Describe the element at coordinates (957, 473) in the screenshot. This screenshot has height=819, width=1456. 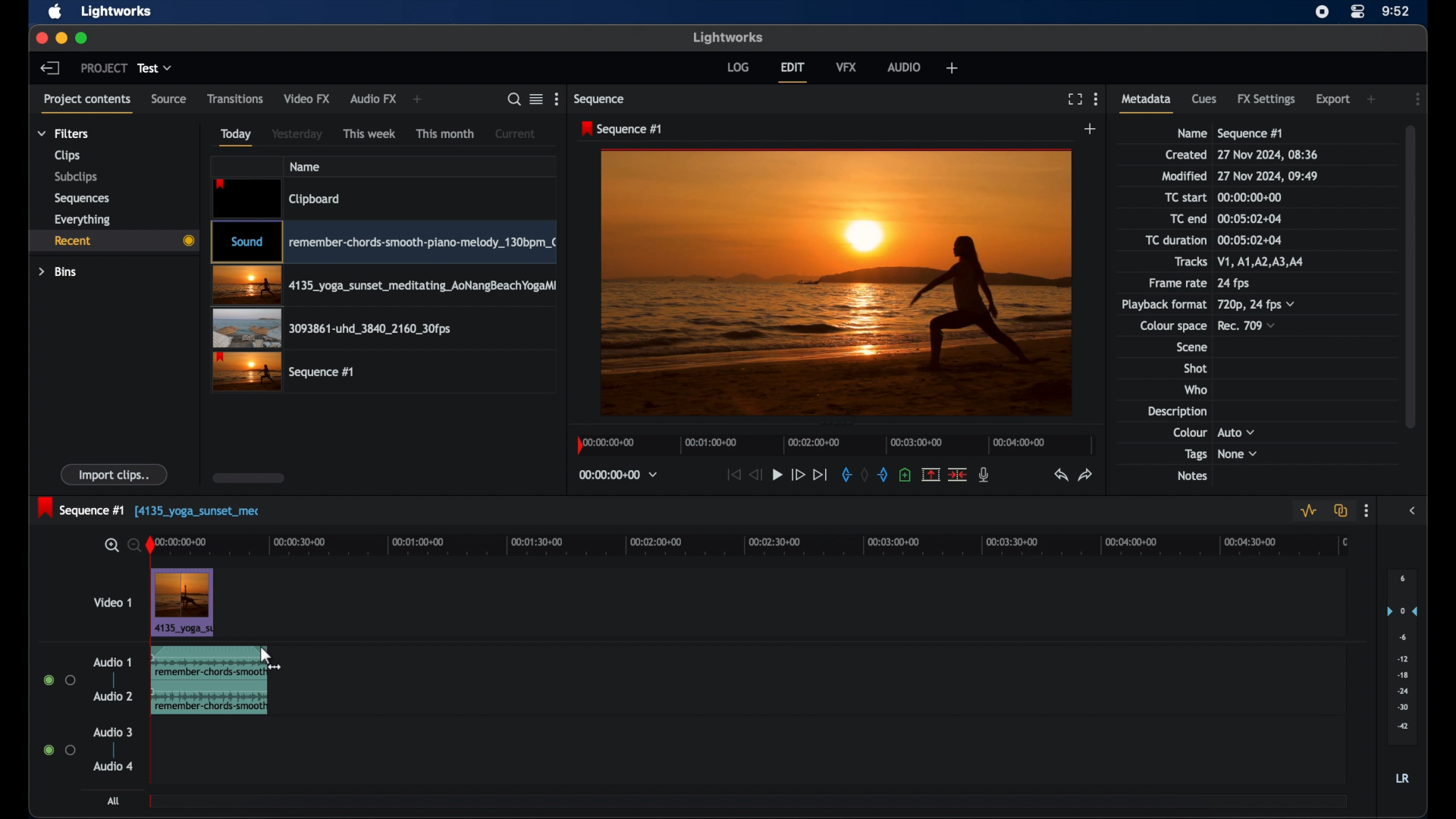
I see `split` at that location.